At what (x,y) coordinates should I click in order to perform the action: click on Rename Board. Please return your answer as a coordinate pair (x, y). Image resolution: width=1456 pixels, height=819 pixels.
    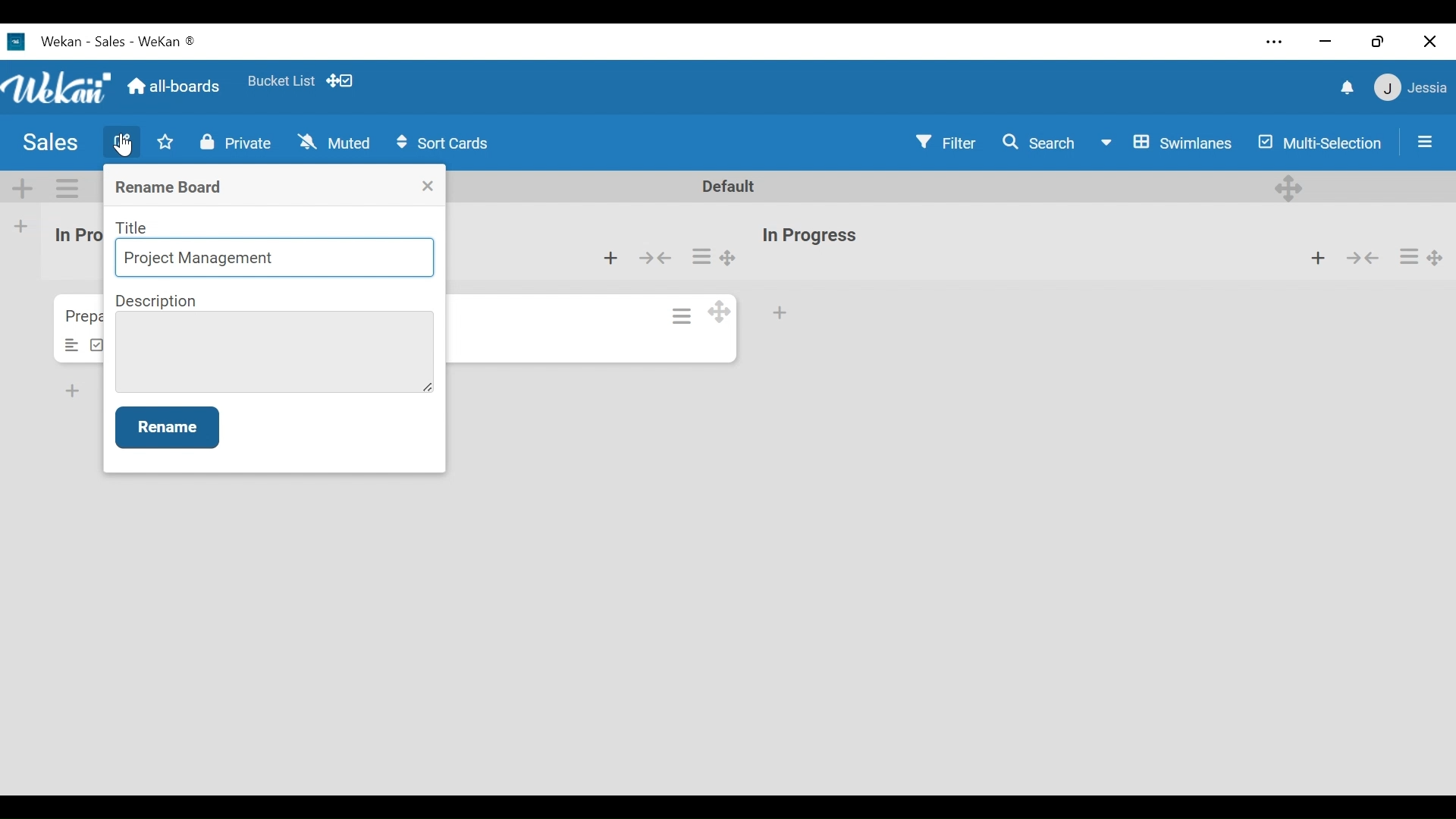
    Looking at the image, I should click on (171, 188).